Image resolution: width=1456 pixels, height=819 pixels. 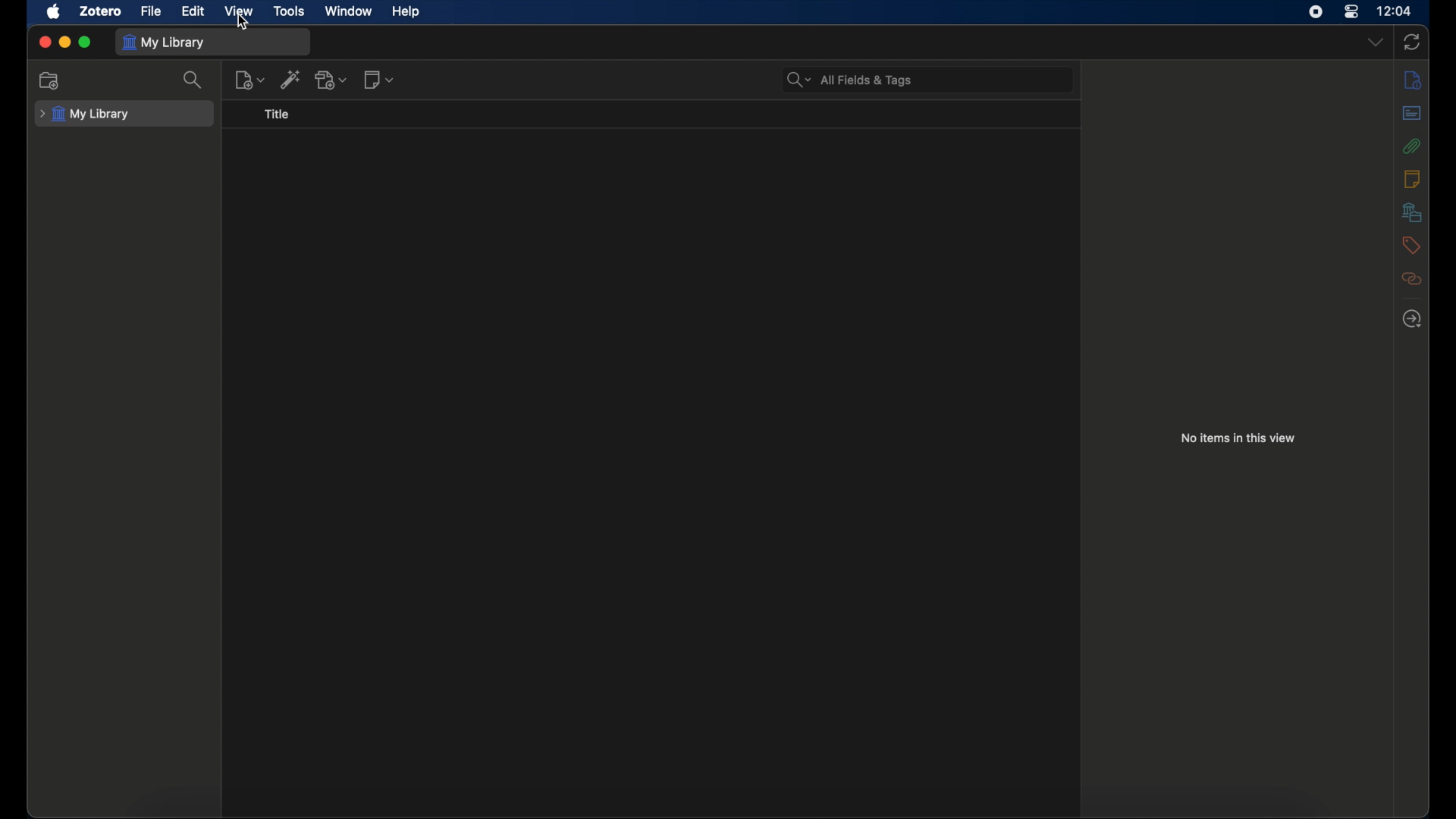 What do you see at coordinates (1411, 212) in the screenshot?
I see `libraries` at bounding box center [1411, 212].